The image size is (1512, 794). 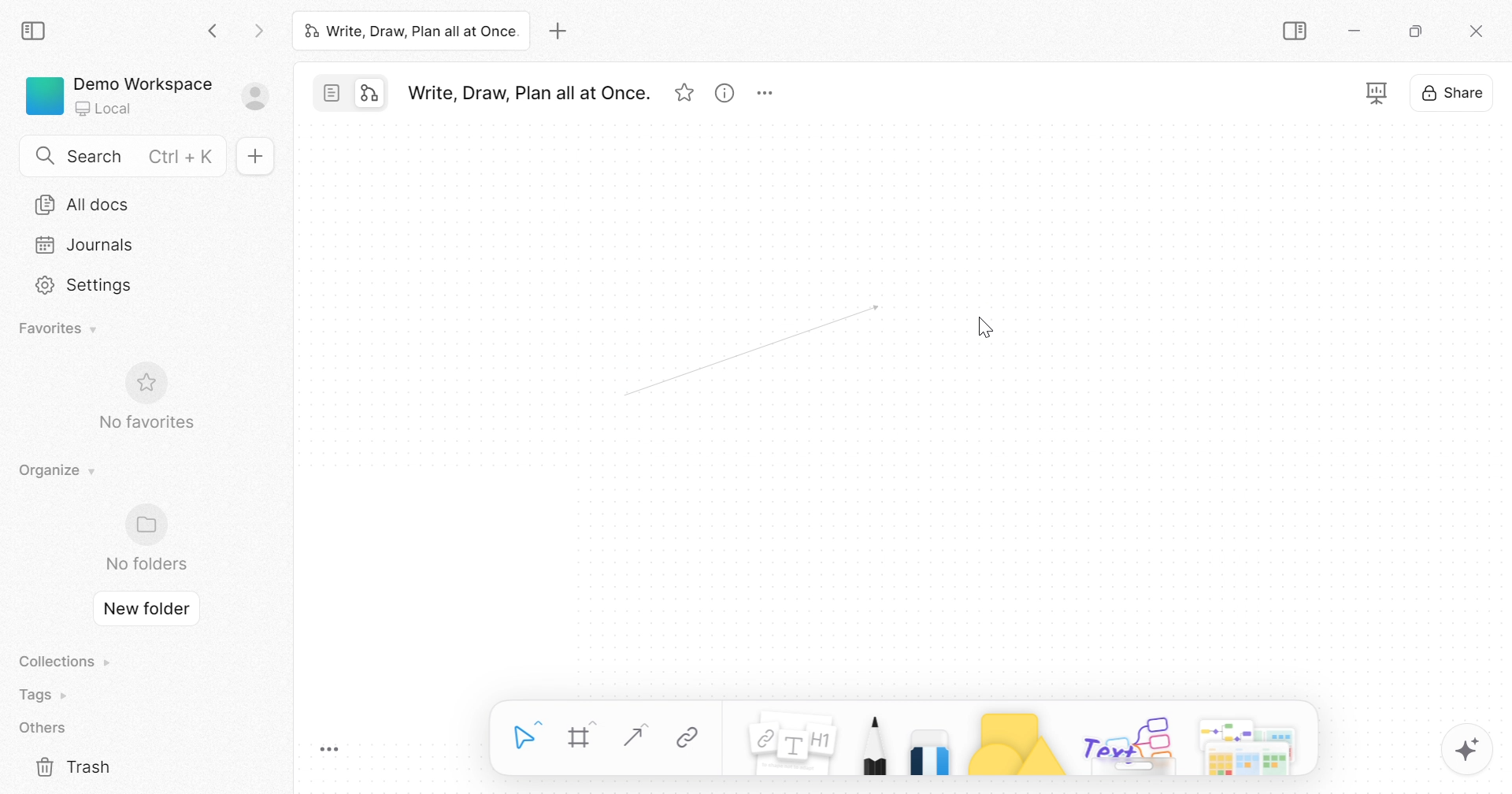 I want to click on Settings, so click(x=85, y=285).